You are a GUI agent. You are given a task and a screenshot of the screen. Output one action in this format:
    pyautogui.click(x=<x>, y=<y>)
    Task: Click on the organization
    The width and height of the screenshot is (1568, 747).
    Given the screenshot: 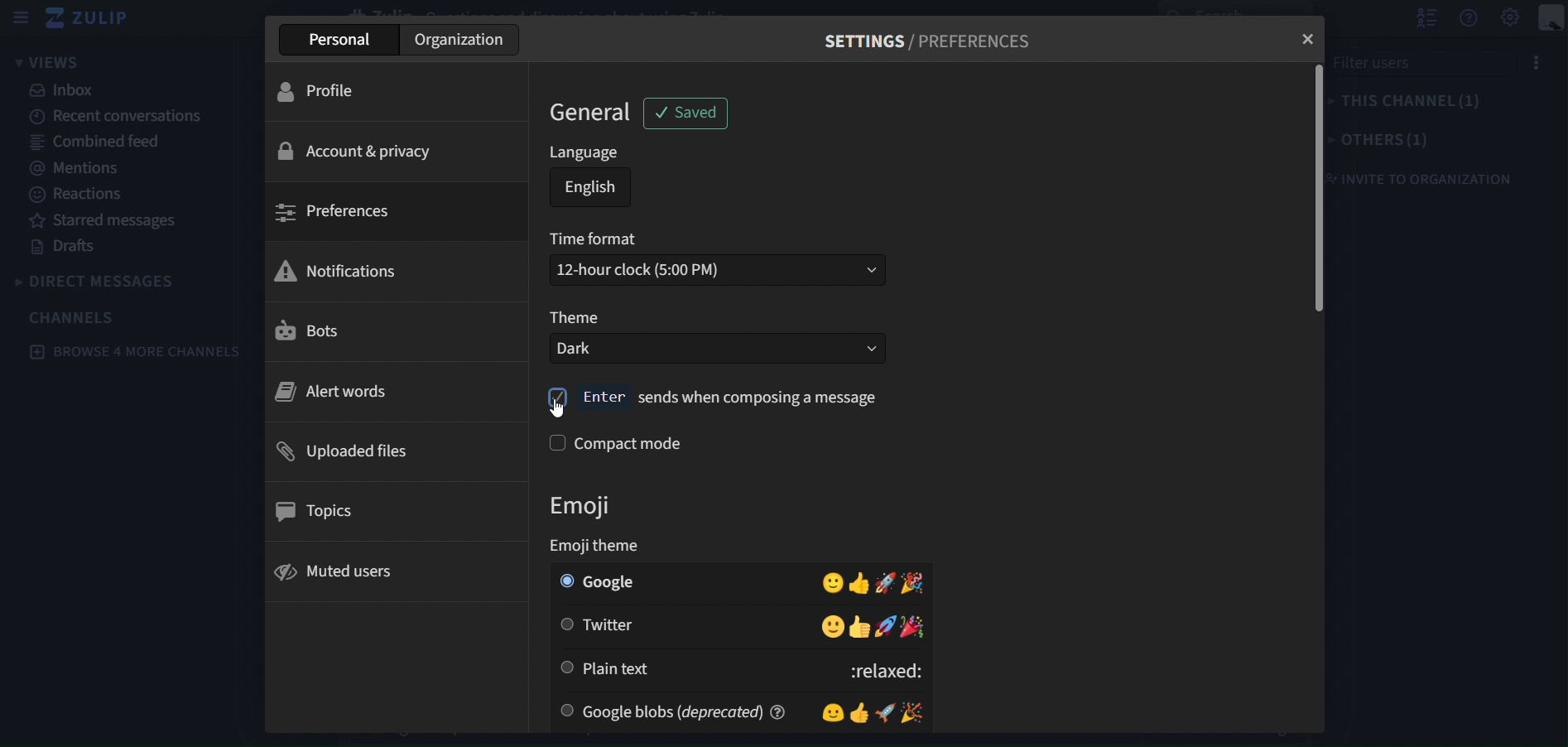 What is the action you would take?
    pyautogui.click(x=459, y=39)
    